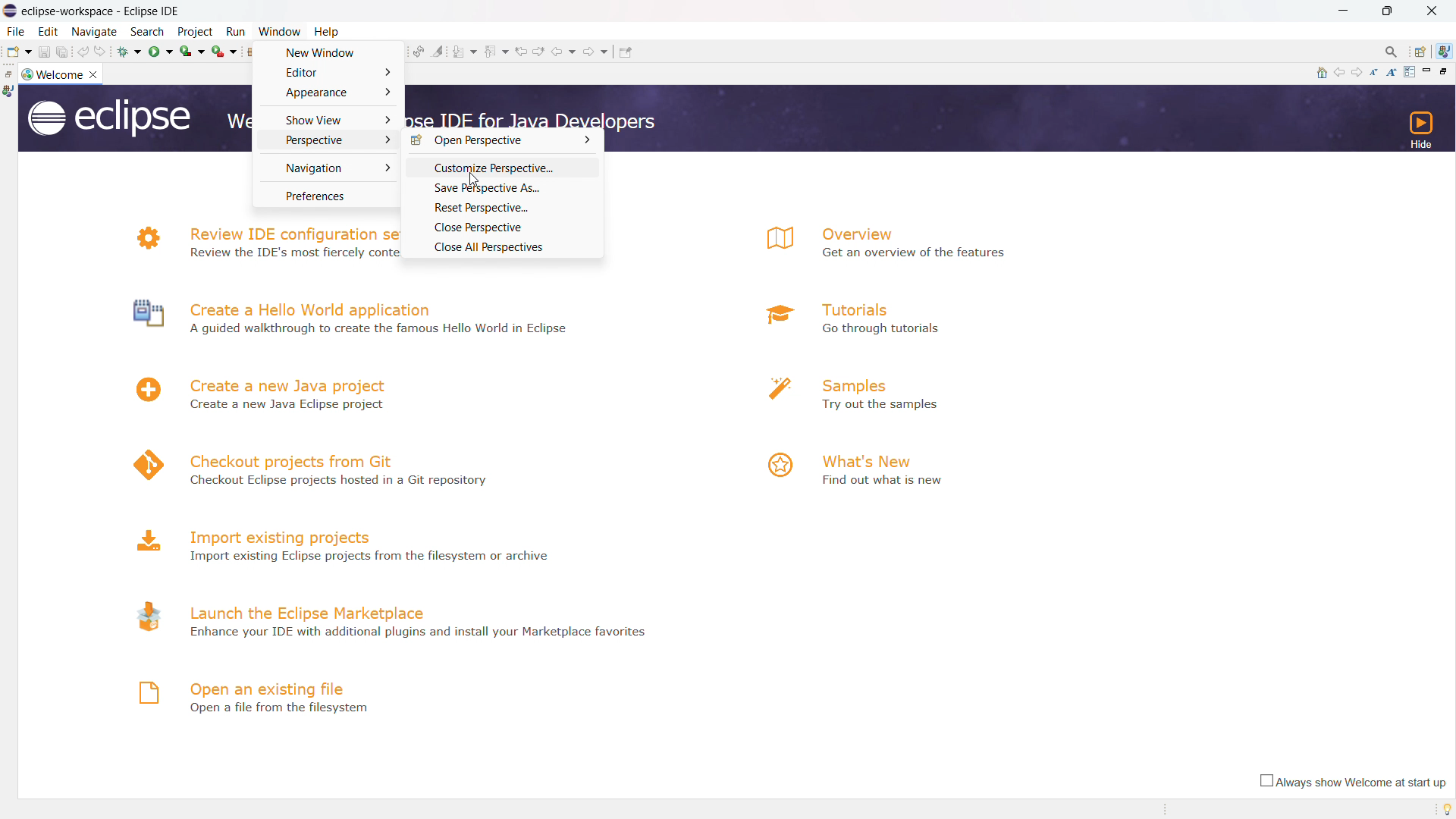 The image size is (1456, 819). Describe the element at coordinates (145, 540) in the screenshot. I see `logo` at that location.